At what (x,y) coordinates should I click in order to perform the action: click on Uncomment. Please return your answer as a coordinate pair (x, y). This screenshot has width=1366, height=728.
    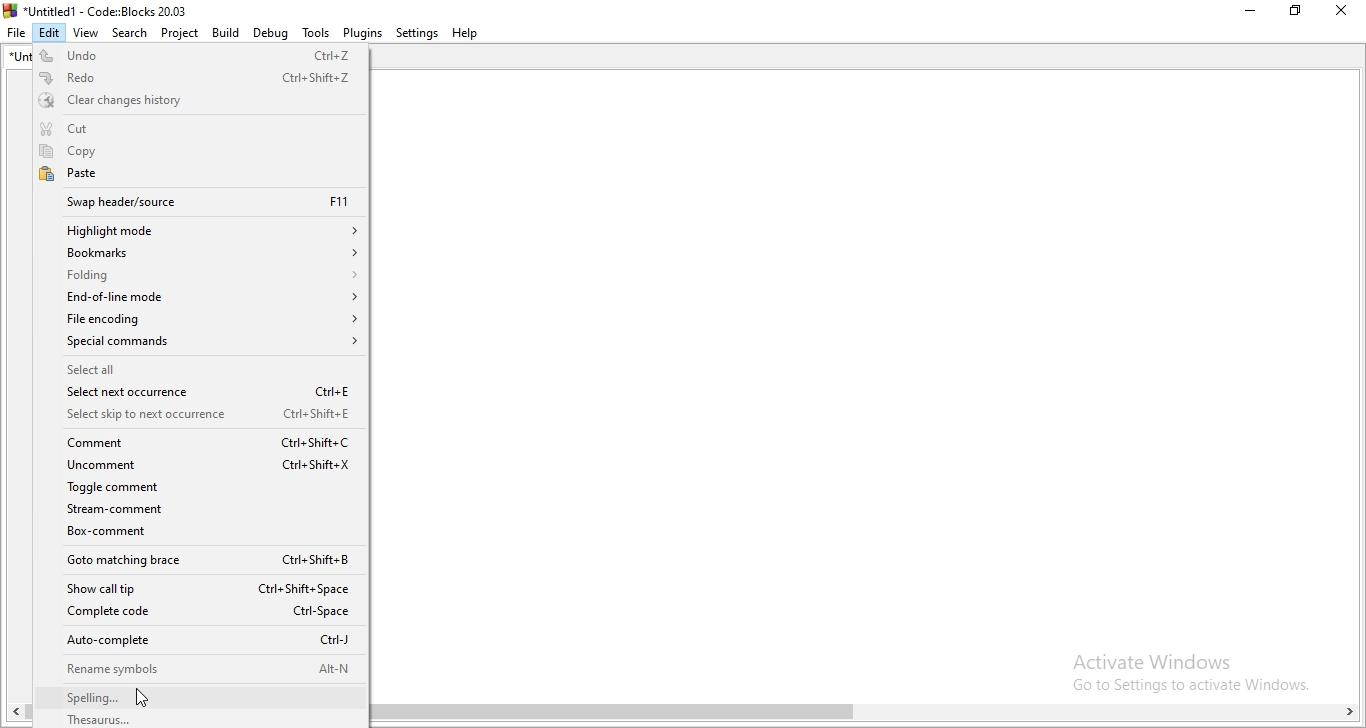
    Looking at the image, I should click on (202, 466).